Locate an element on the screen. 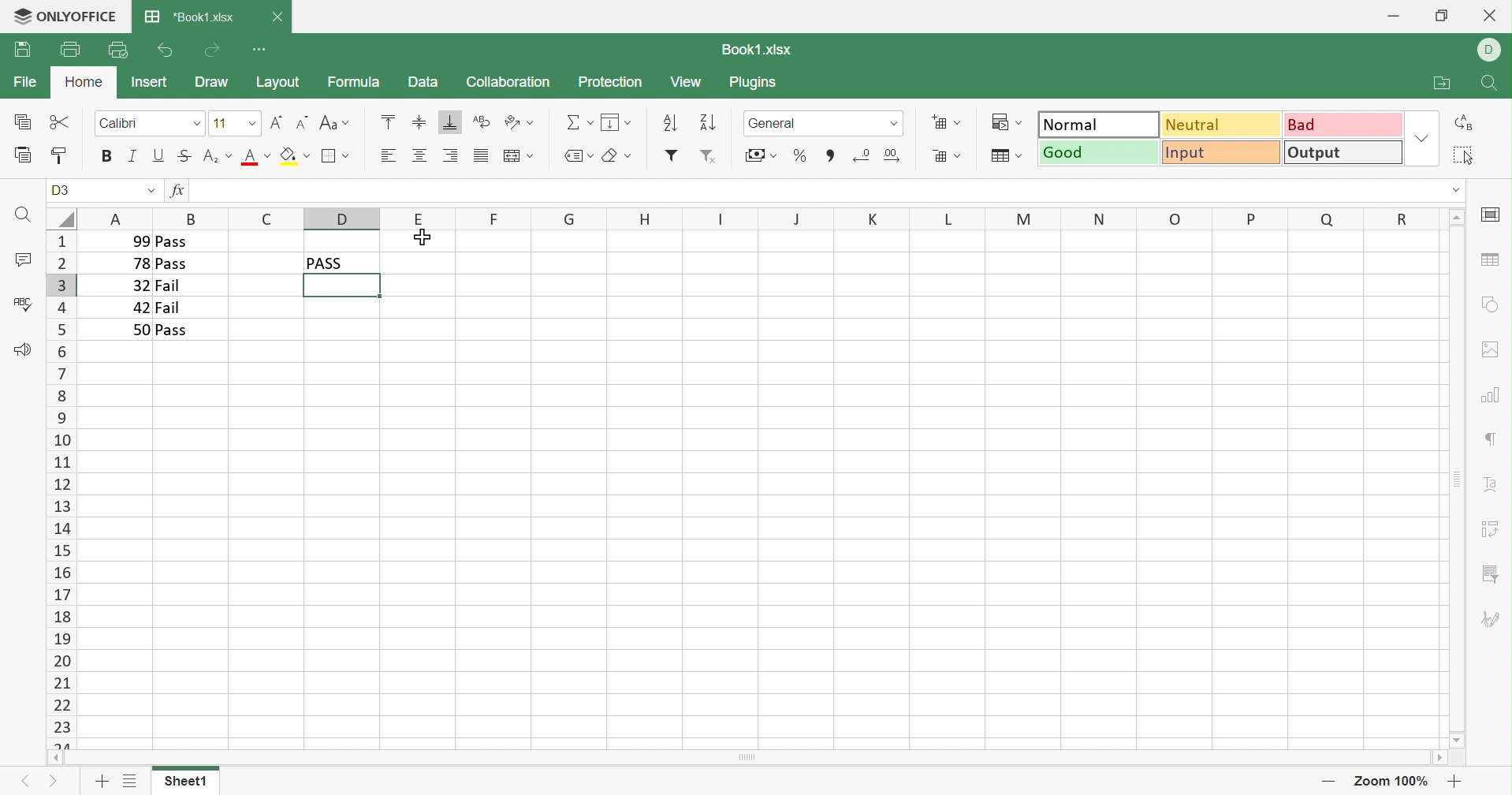 The height and width of the screenshot is (795, 1512). Conditional formatting is located at coordinates (1009, 122).